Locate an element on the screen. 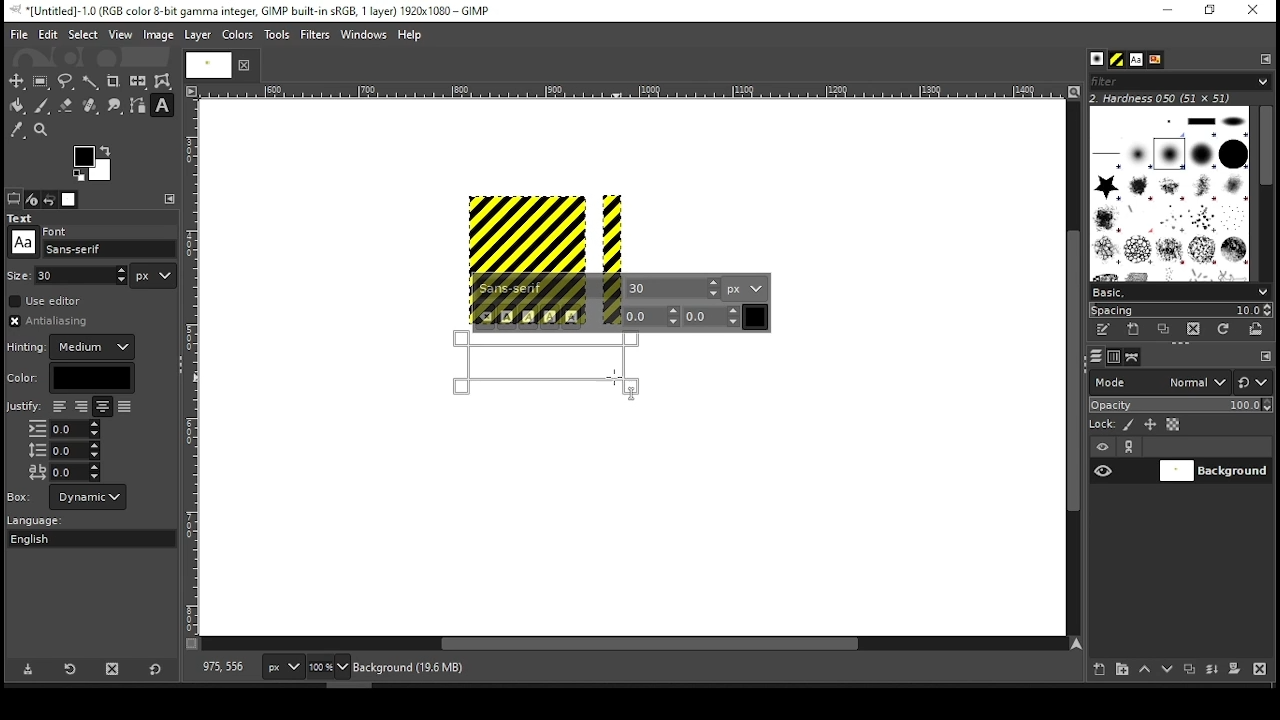  text tool is located at coordinates (162, 107).